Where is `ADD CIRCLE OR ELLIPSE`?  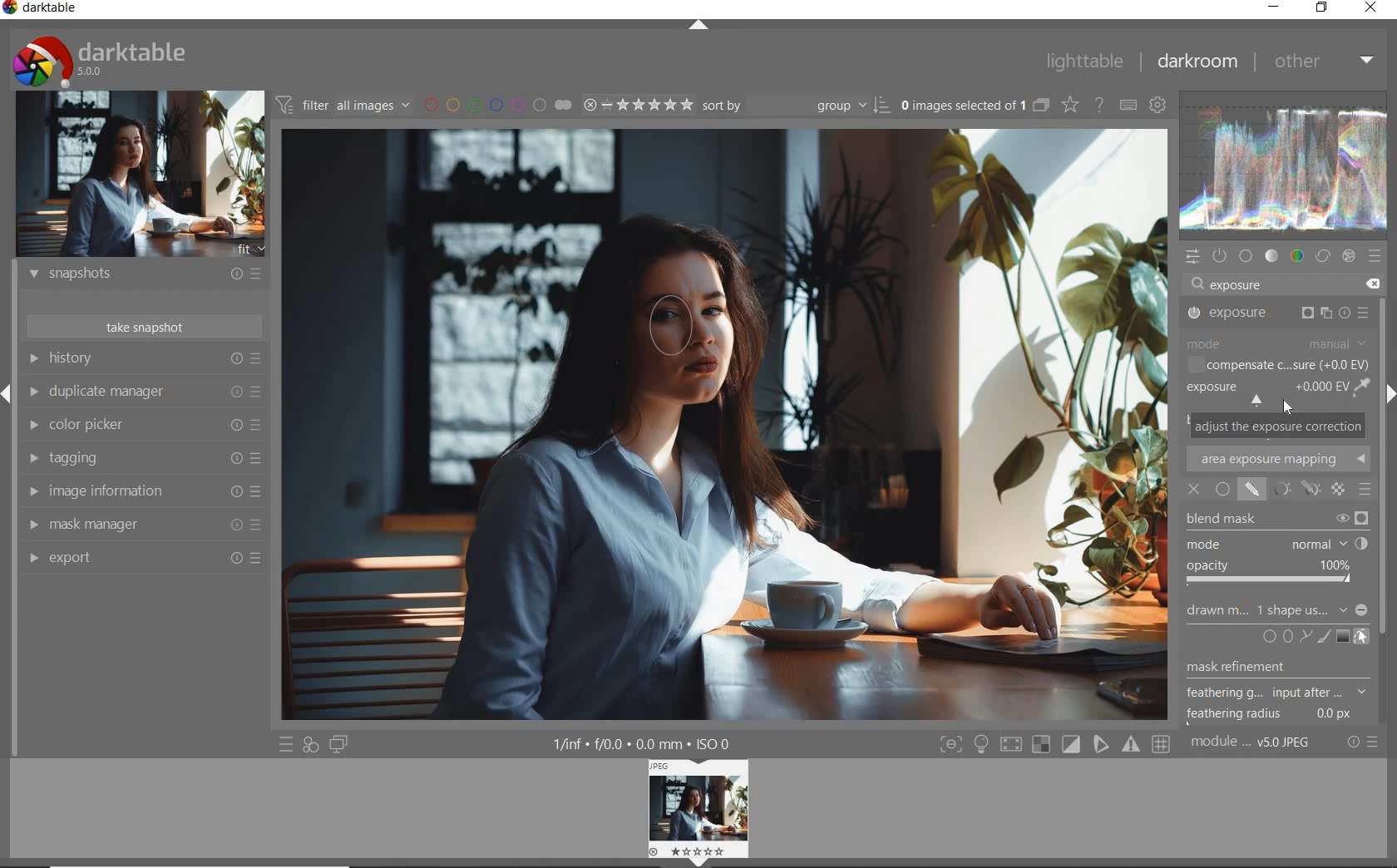 ADD CIRCLE OR ELLIPSE is located at coordinates (1278, 638).